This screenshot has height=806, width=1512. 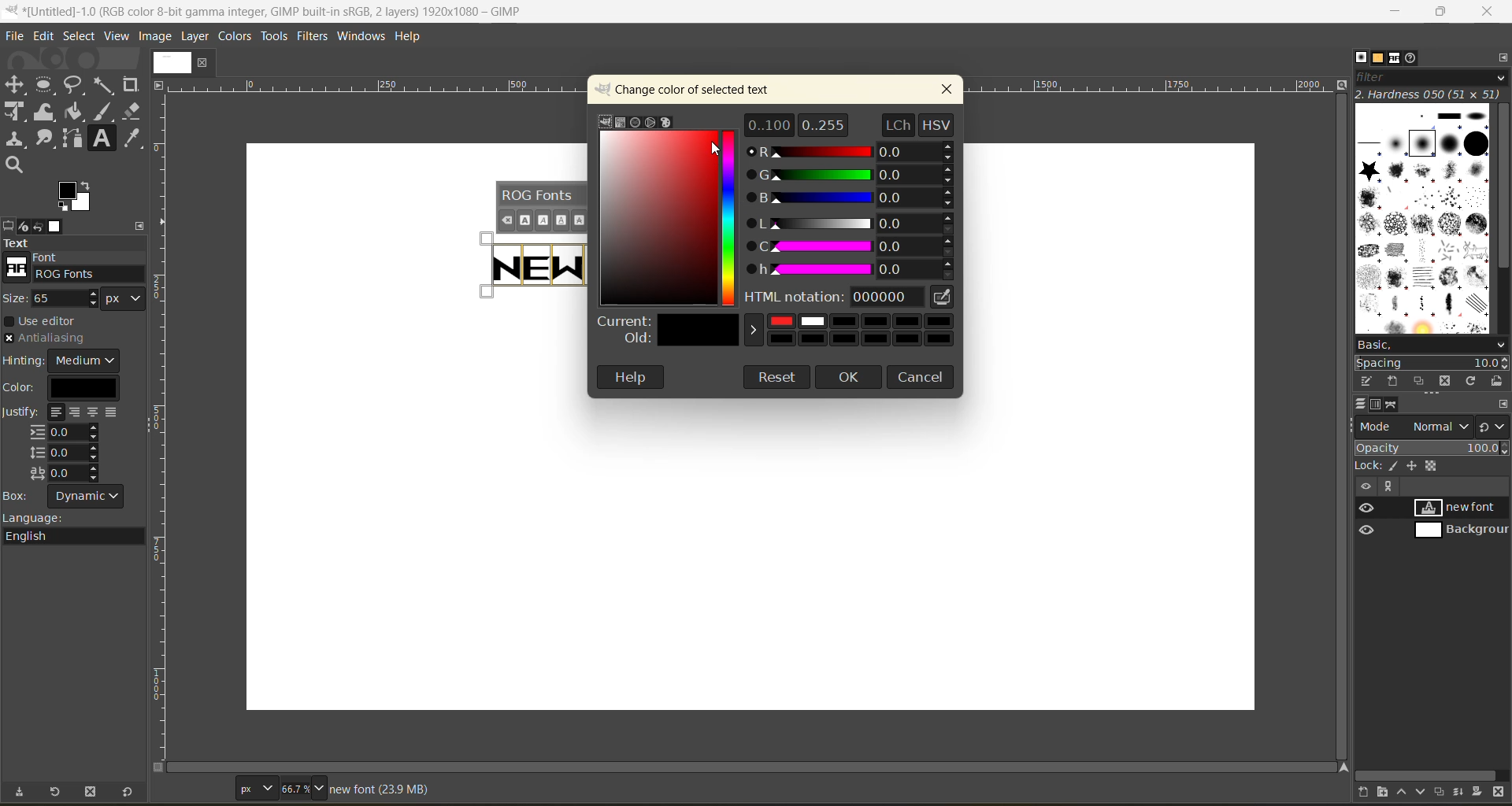 I want to click on font, so click(x=79, y=267).